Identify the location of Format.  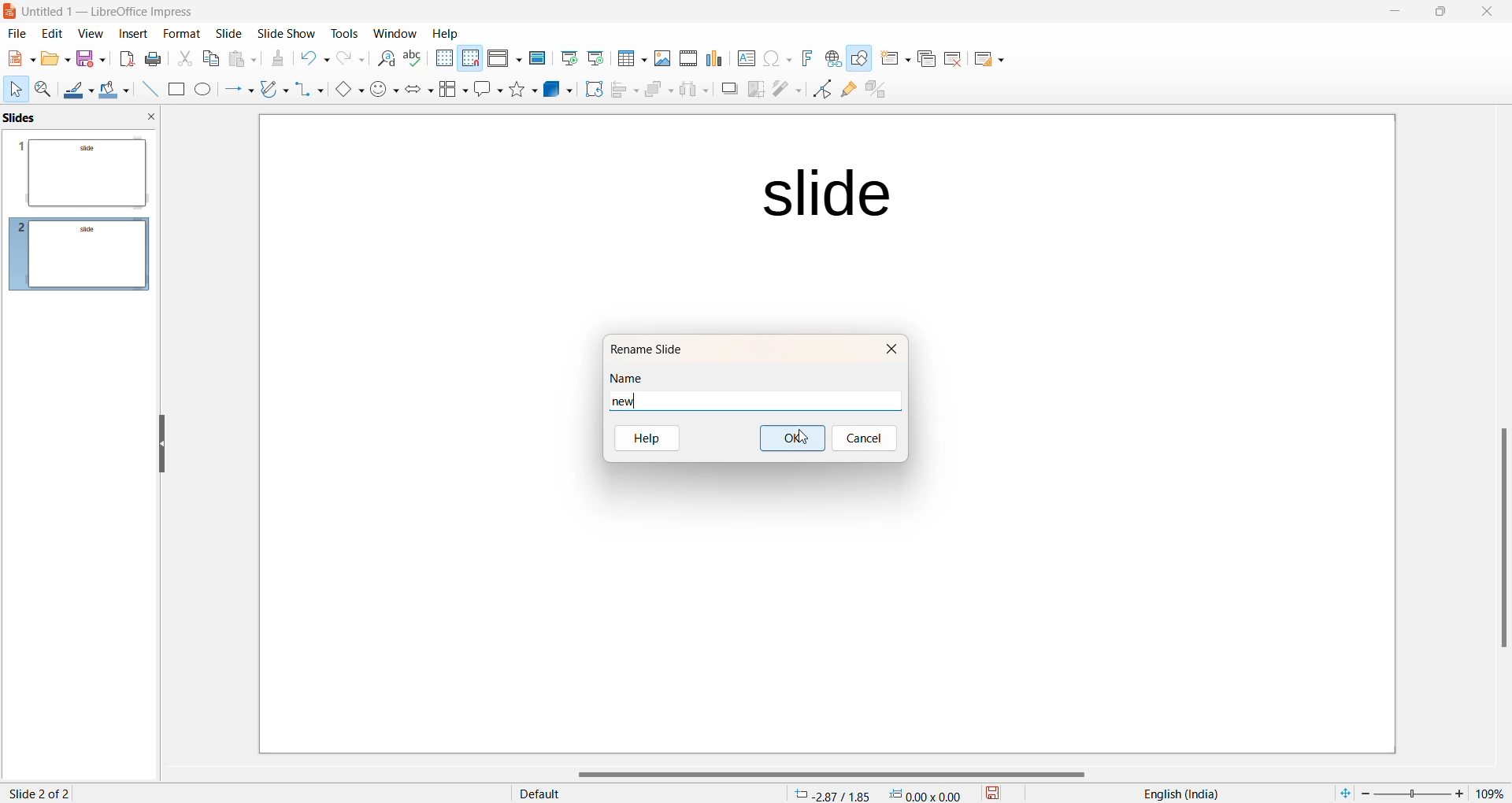
(177, 31).